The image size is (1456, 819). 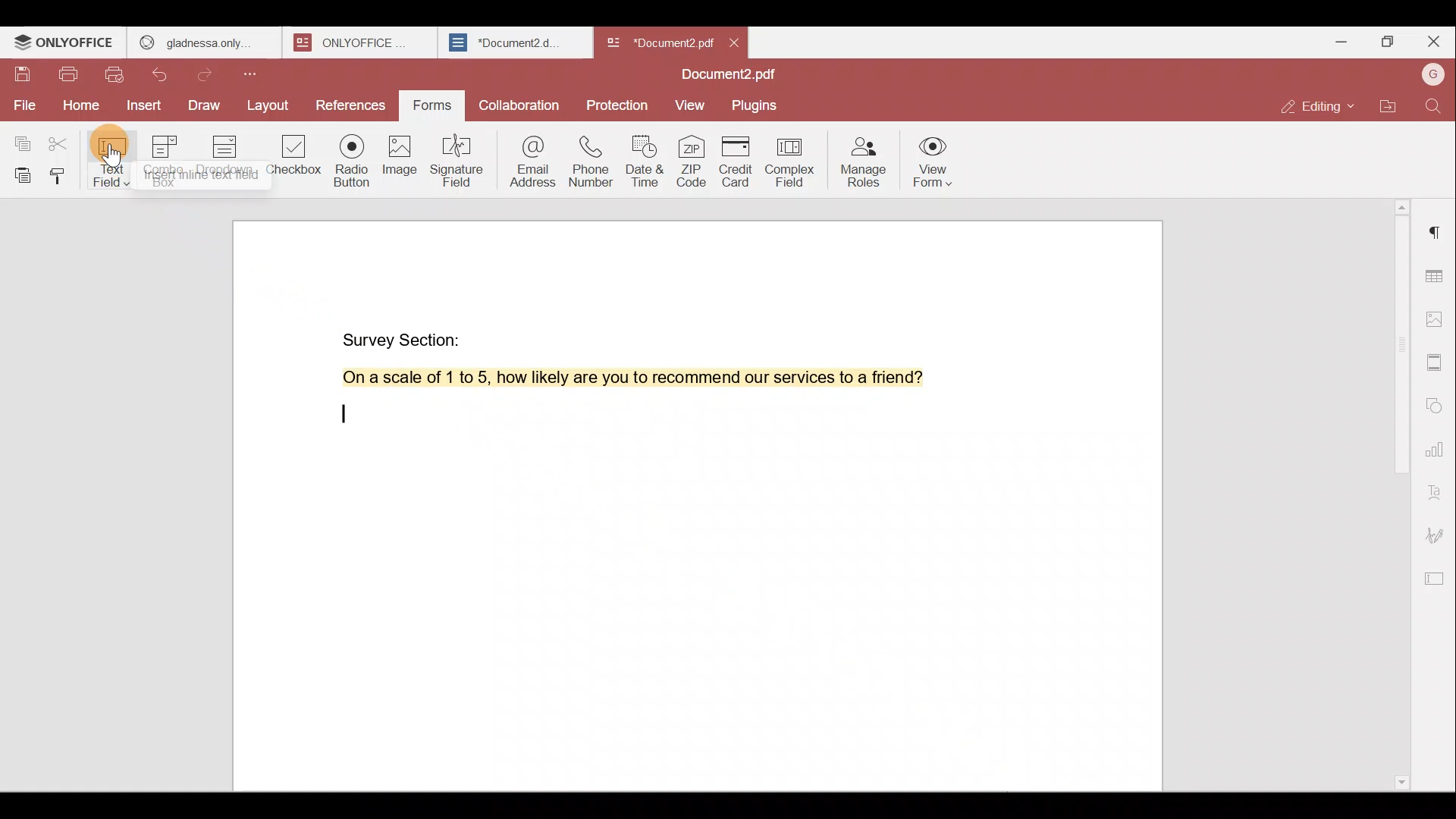 What do you see at coordinates (734, 42) in the screenshot?
I see `close` at bounding box center [734, 42].